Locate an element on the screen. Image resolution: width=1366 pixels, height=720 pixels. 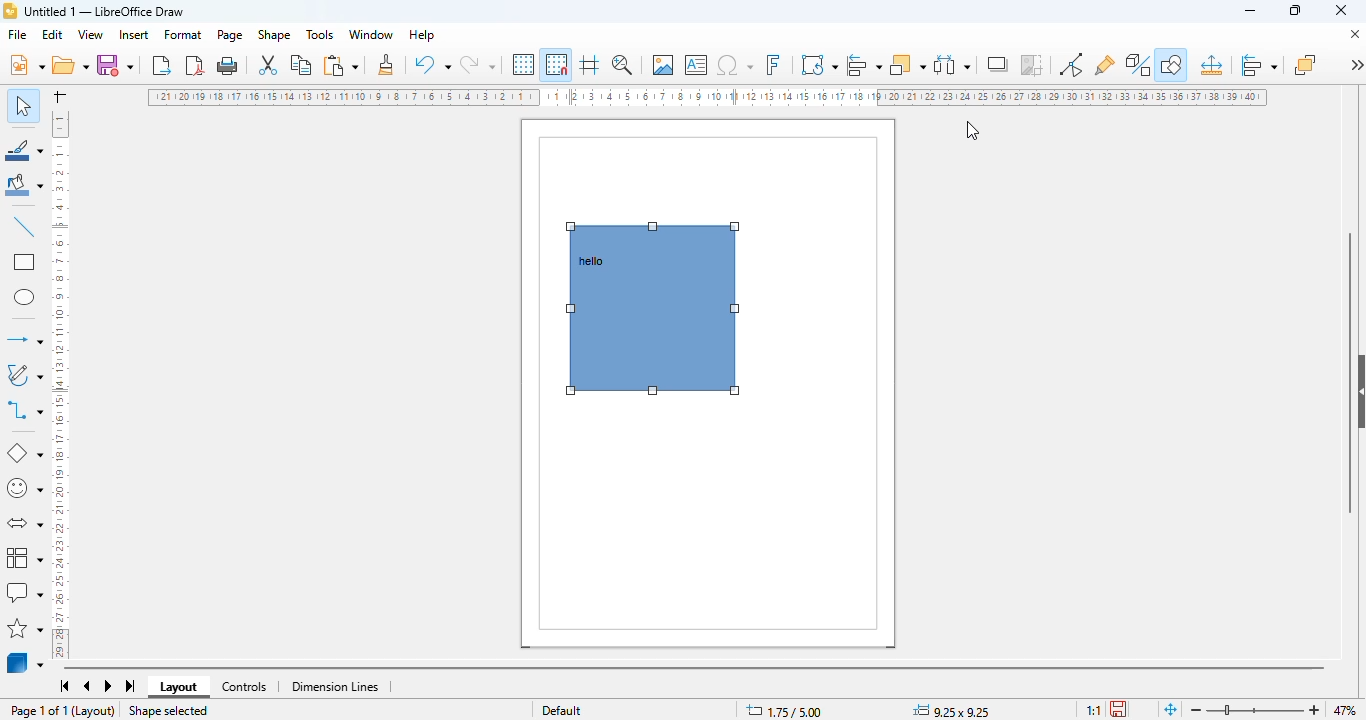
print is located at coordinates (227, 66).